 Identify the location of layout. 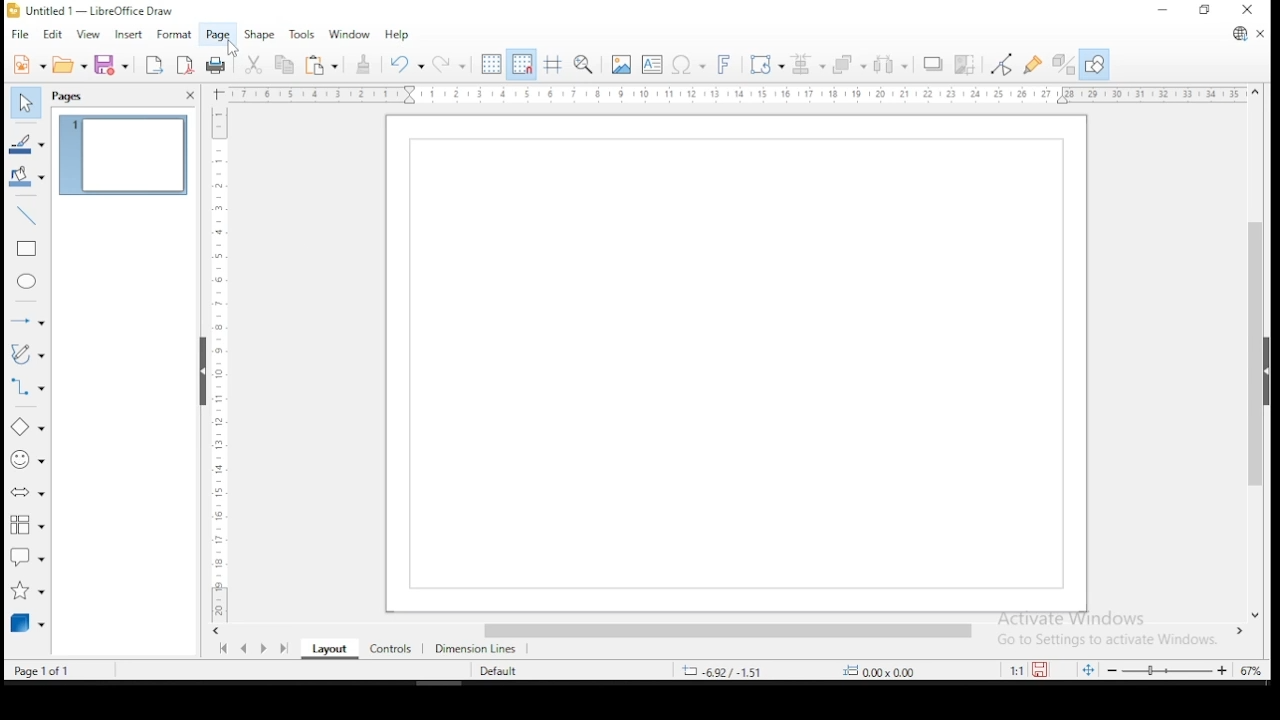
(328, 650).